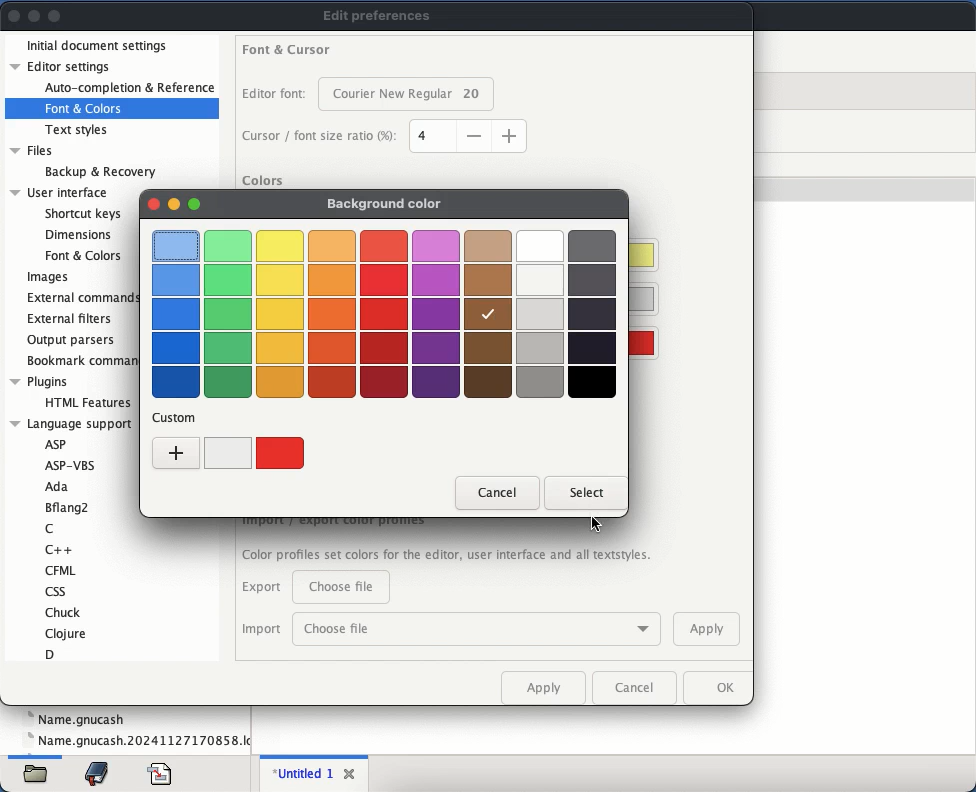  Describe the element at coordinates (174, 204) in the screenshot. I see `minimize` at that location.